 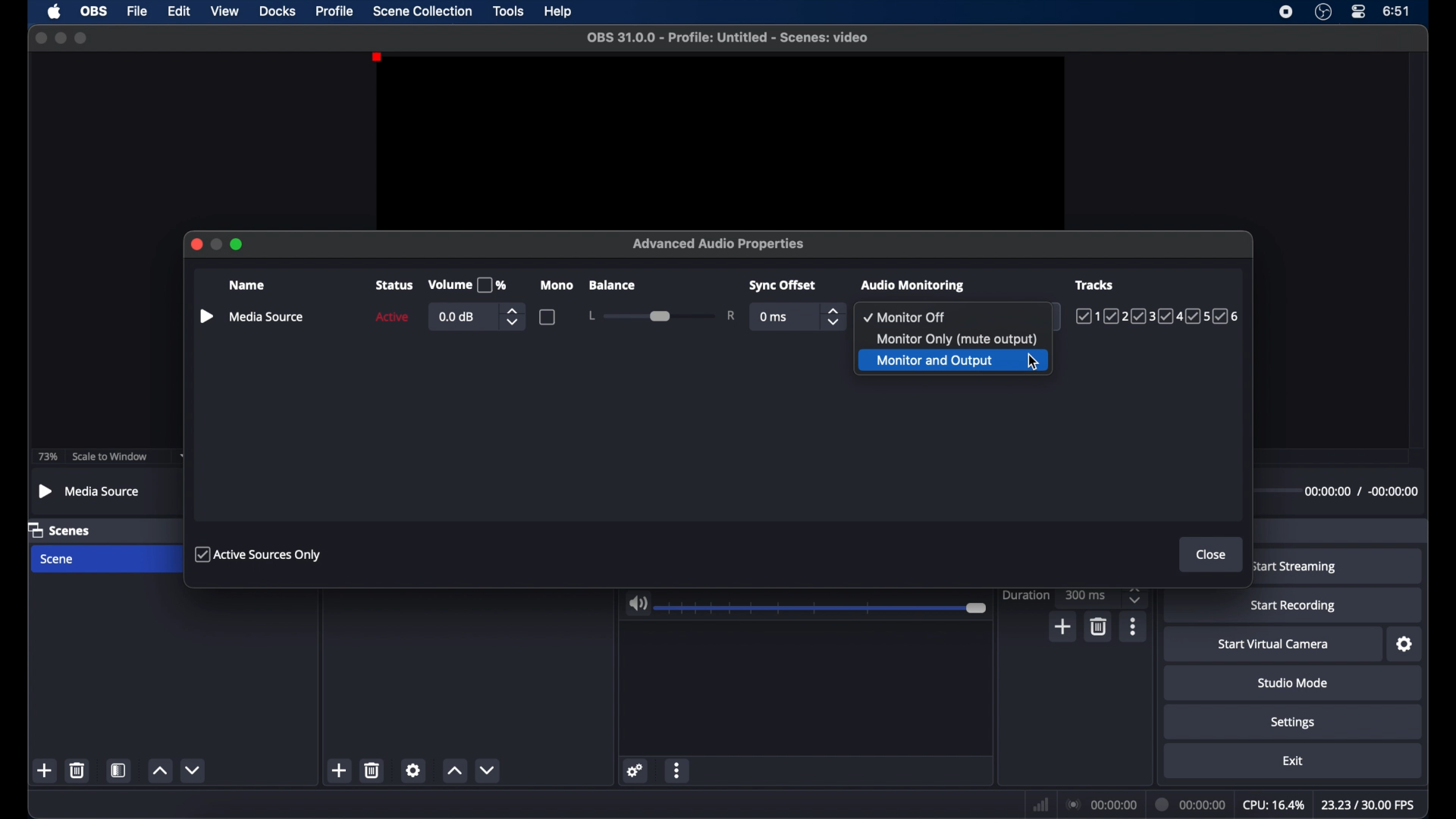 I want to click on duration, so click(x=1191, y=804).